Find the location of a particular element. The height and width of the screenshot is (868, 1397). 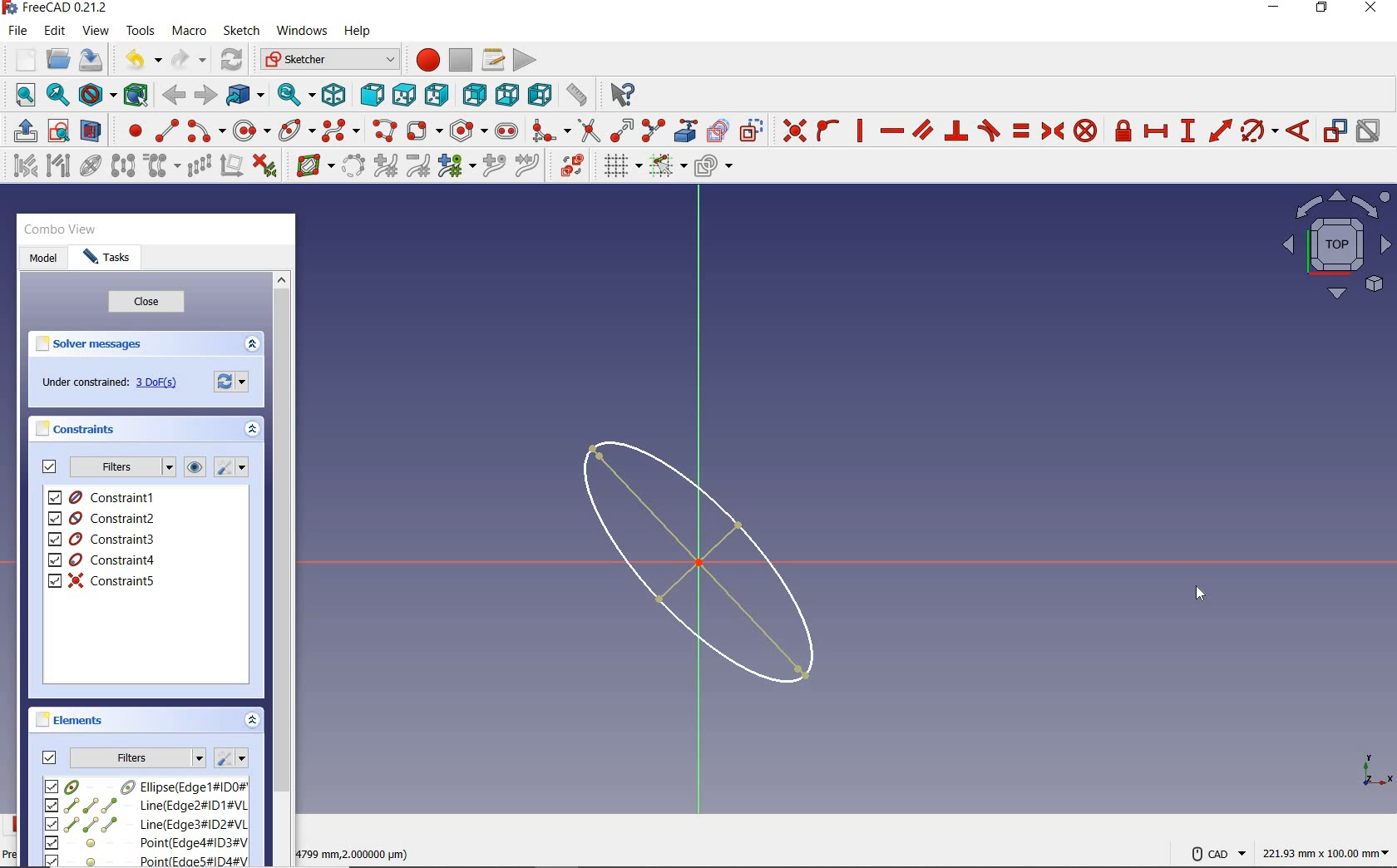

create rectangle is located at coordinates (423, 131).